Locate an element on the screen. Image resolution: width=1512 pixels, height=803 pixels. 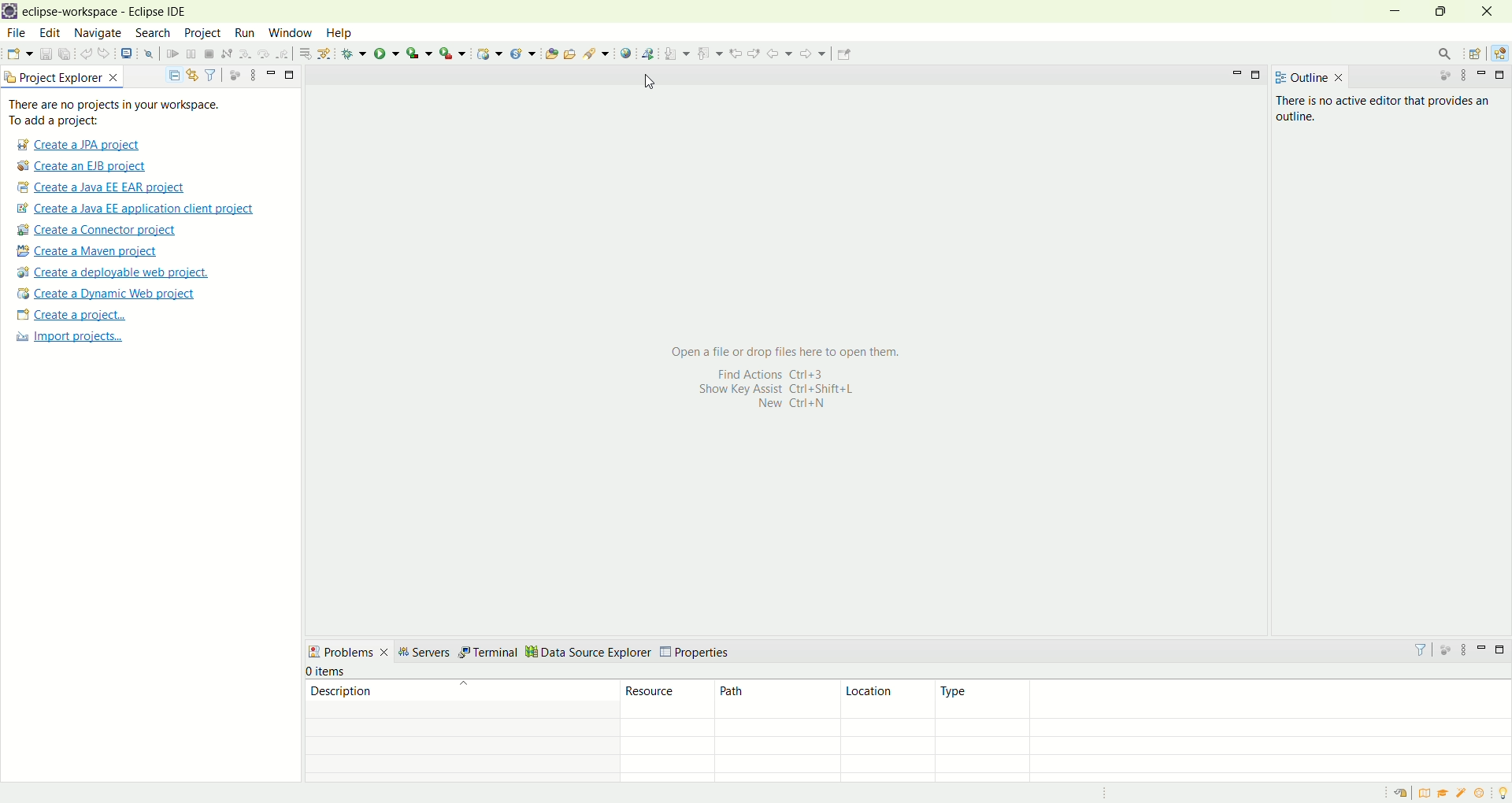
project is located at coordinates (202, 33).